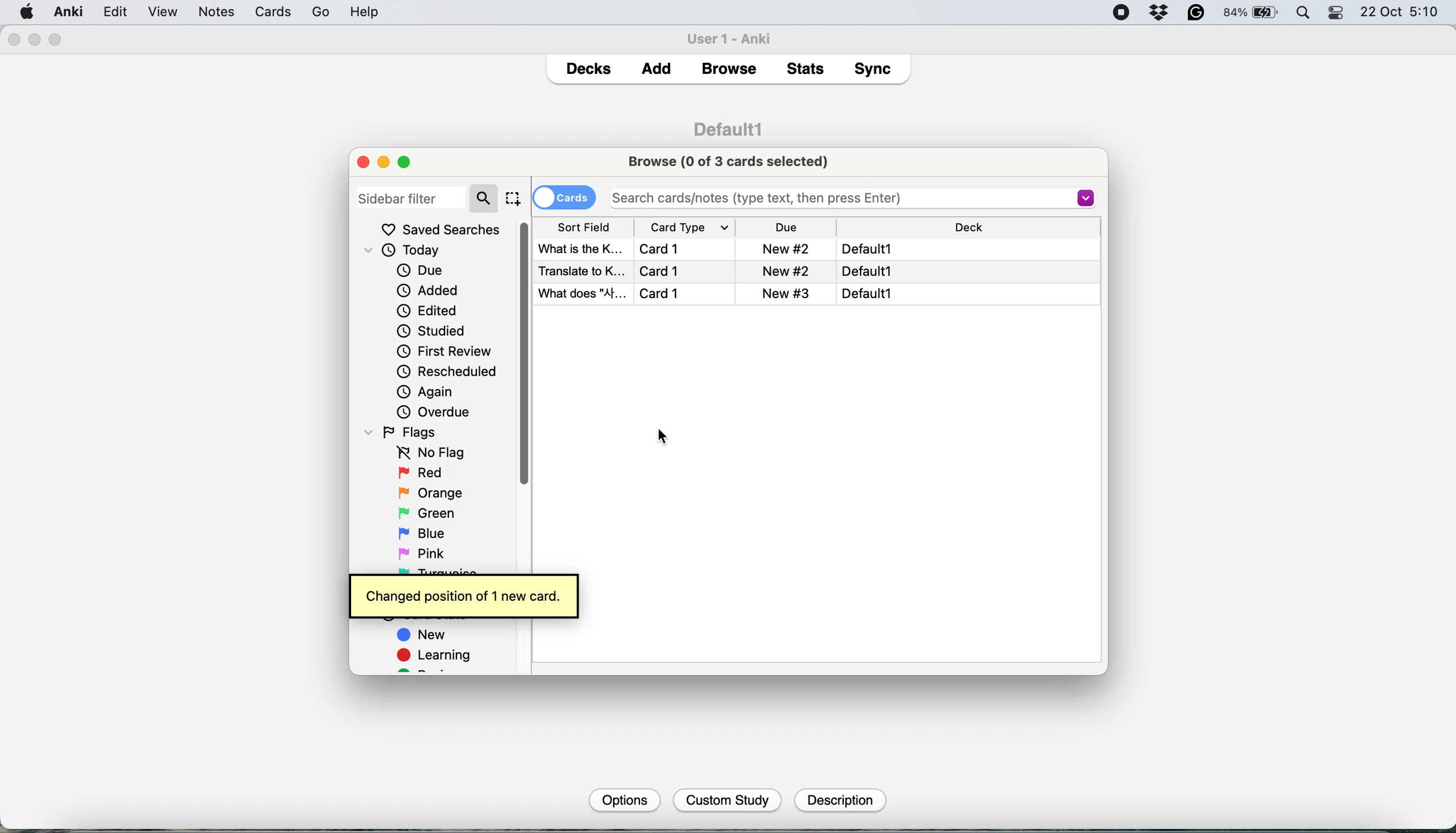 This screenshot has height=833, width=1456. What do you see at coordinates (588, 66) in the screenshot?
I see `Decks` at bounding box center [588, 66].